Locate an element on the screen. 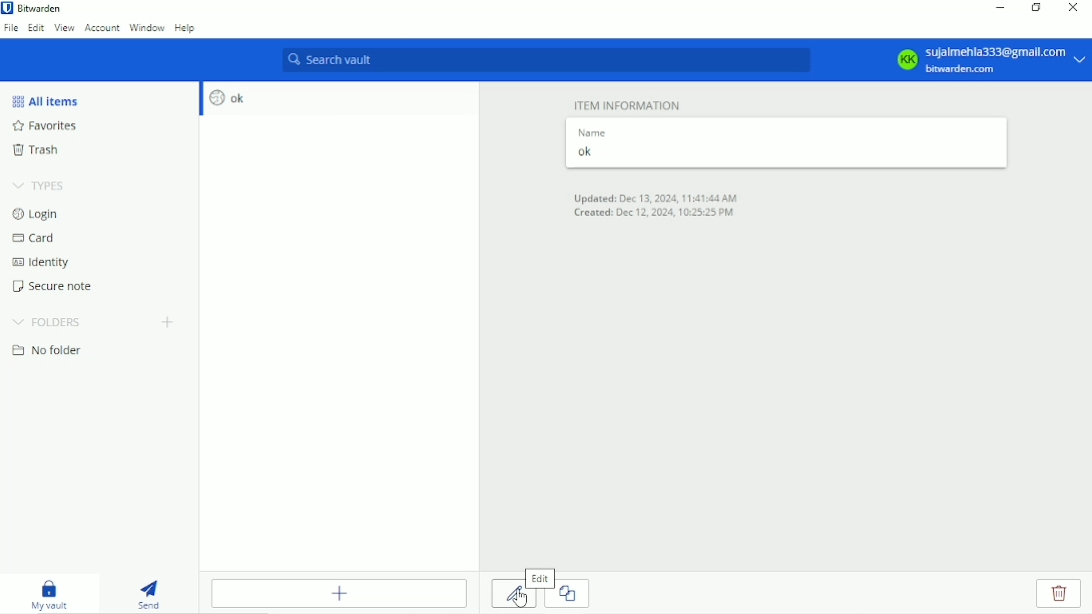 This screenshot has width=1092, height=614. Bitwarden is located at coordinates (40, 8).